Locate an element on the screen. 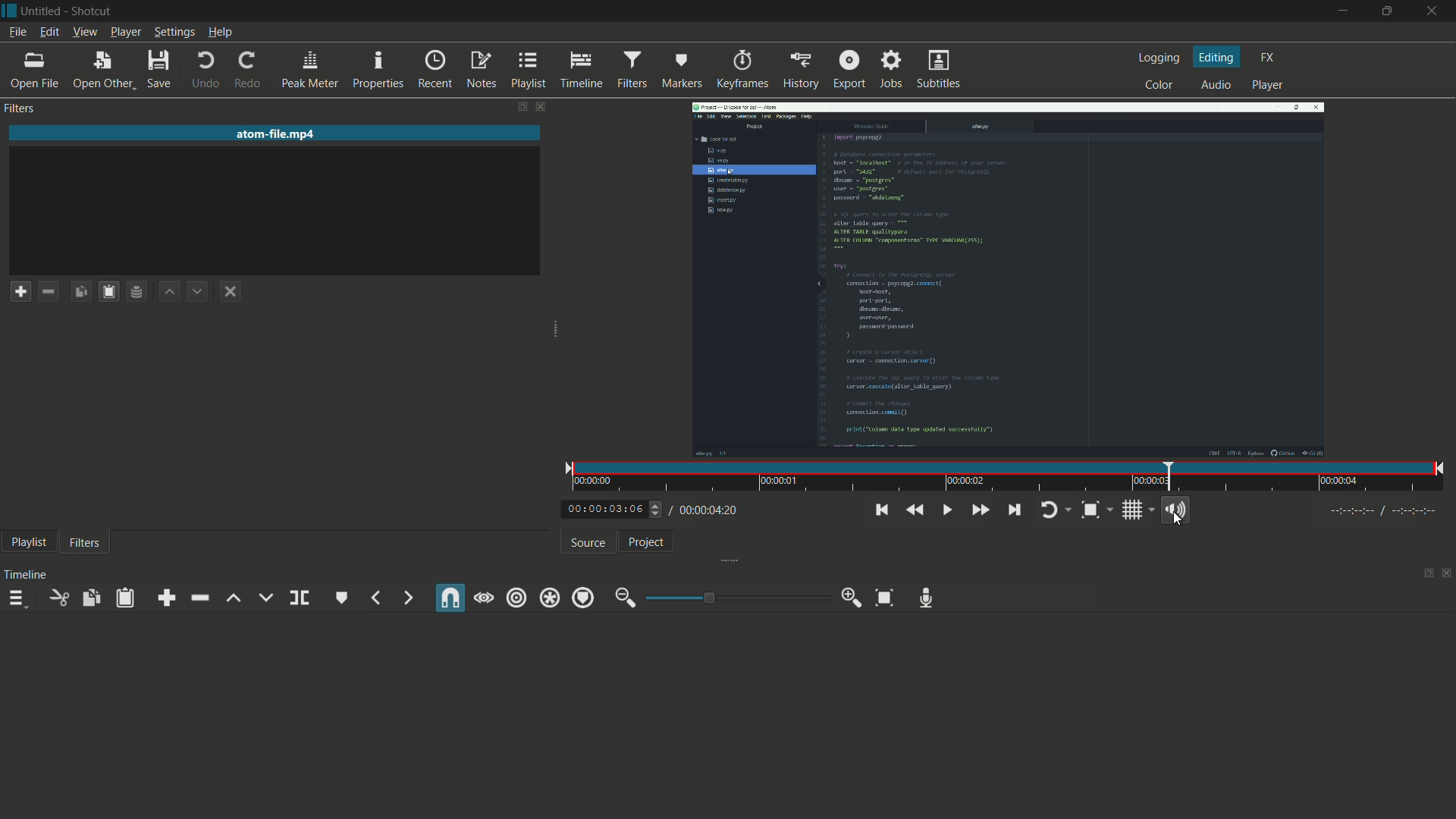  view menu is located at coordinates (86, 32).